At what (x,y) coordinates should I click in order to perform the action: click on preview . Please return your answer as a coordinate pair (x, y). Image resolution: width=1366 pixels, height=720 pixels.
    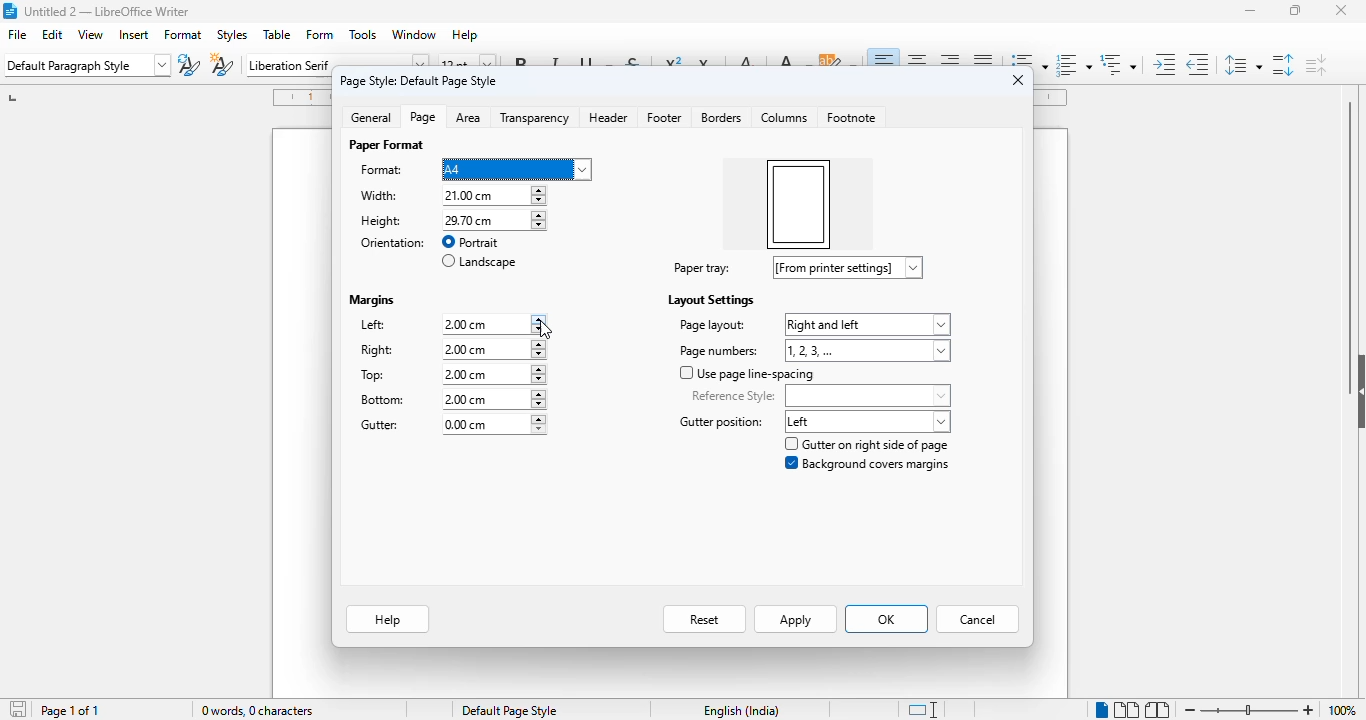
    Looking at the image, I should click on (798, 205).